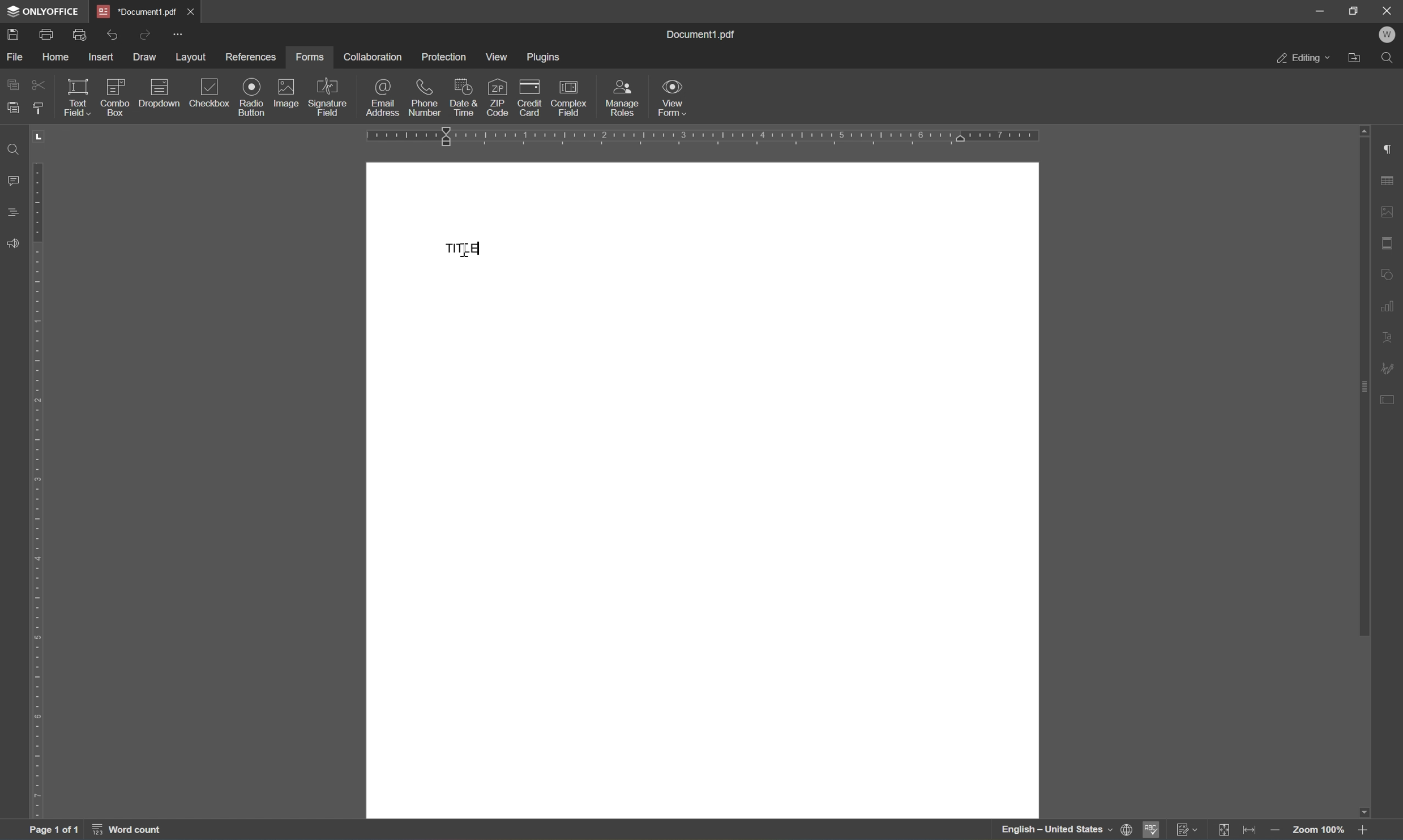 This screenshot has width=1403, height=840. Describe the element at coordinates (1391, 180) in the screenshot. I see `table settings` at that location.